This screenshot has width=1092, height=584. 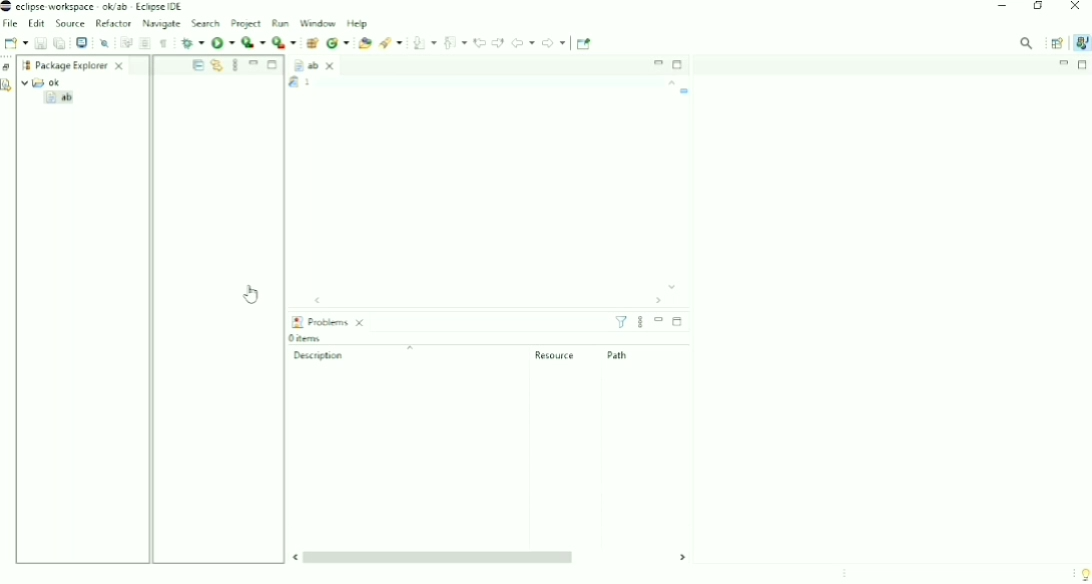 I want to click on Previous Annotation, so click(x=456, y=42).